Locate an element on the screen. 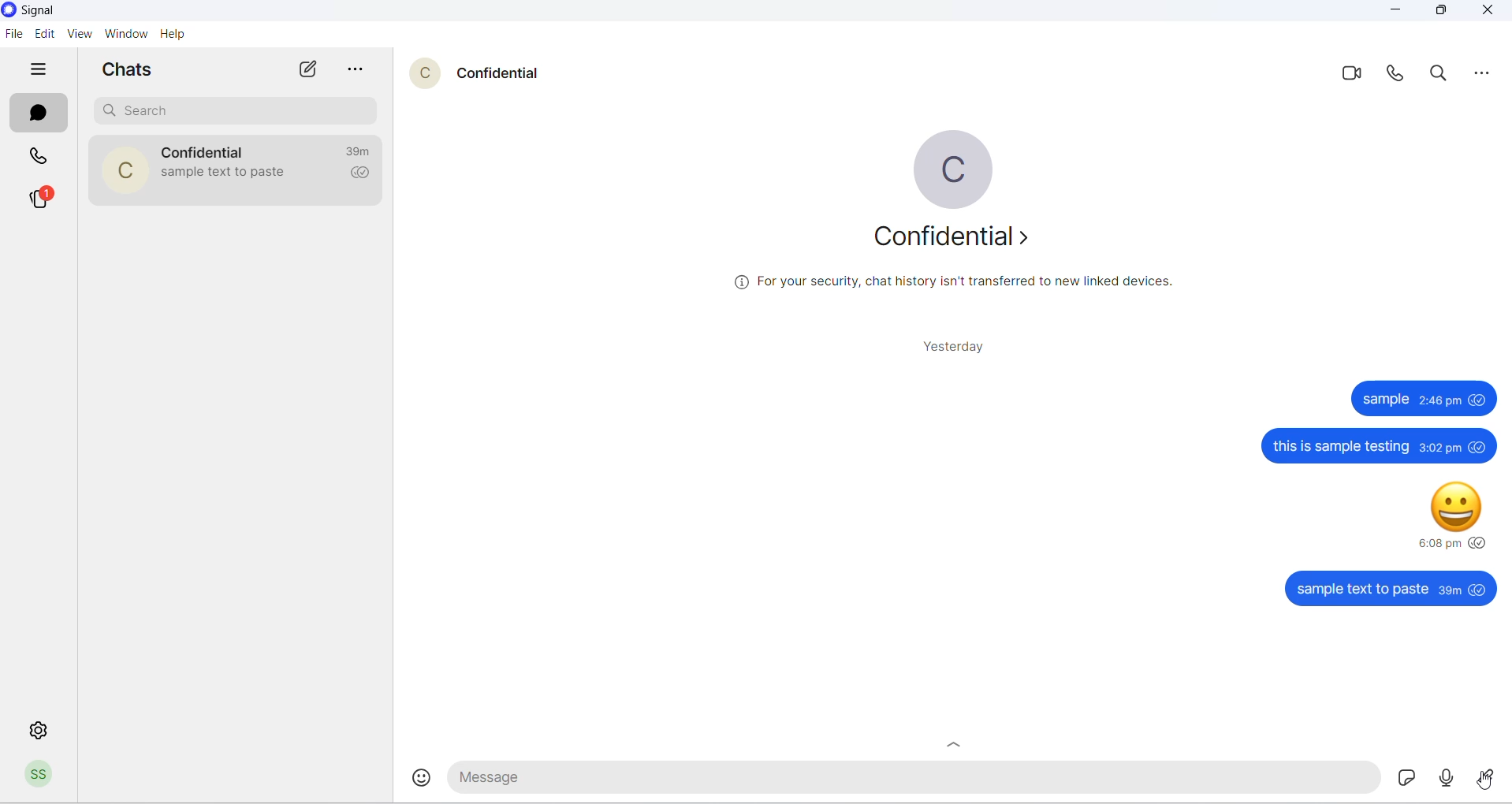 The width and height of the screenshot is (1512, 804). read recipient is located at coordinates (362, 175).